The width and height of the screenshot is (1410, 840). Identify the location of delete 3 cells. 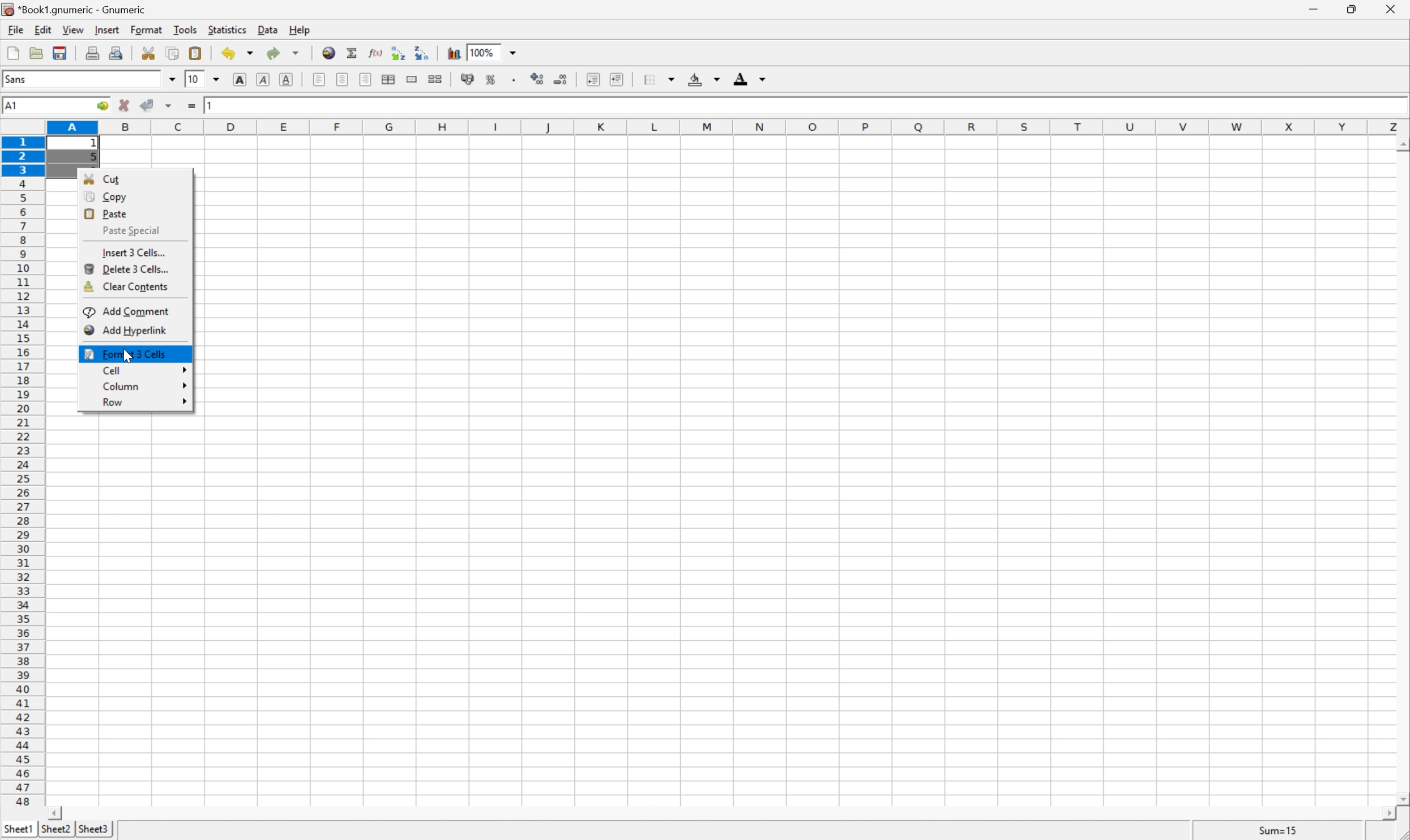
(130, 268).